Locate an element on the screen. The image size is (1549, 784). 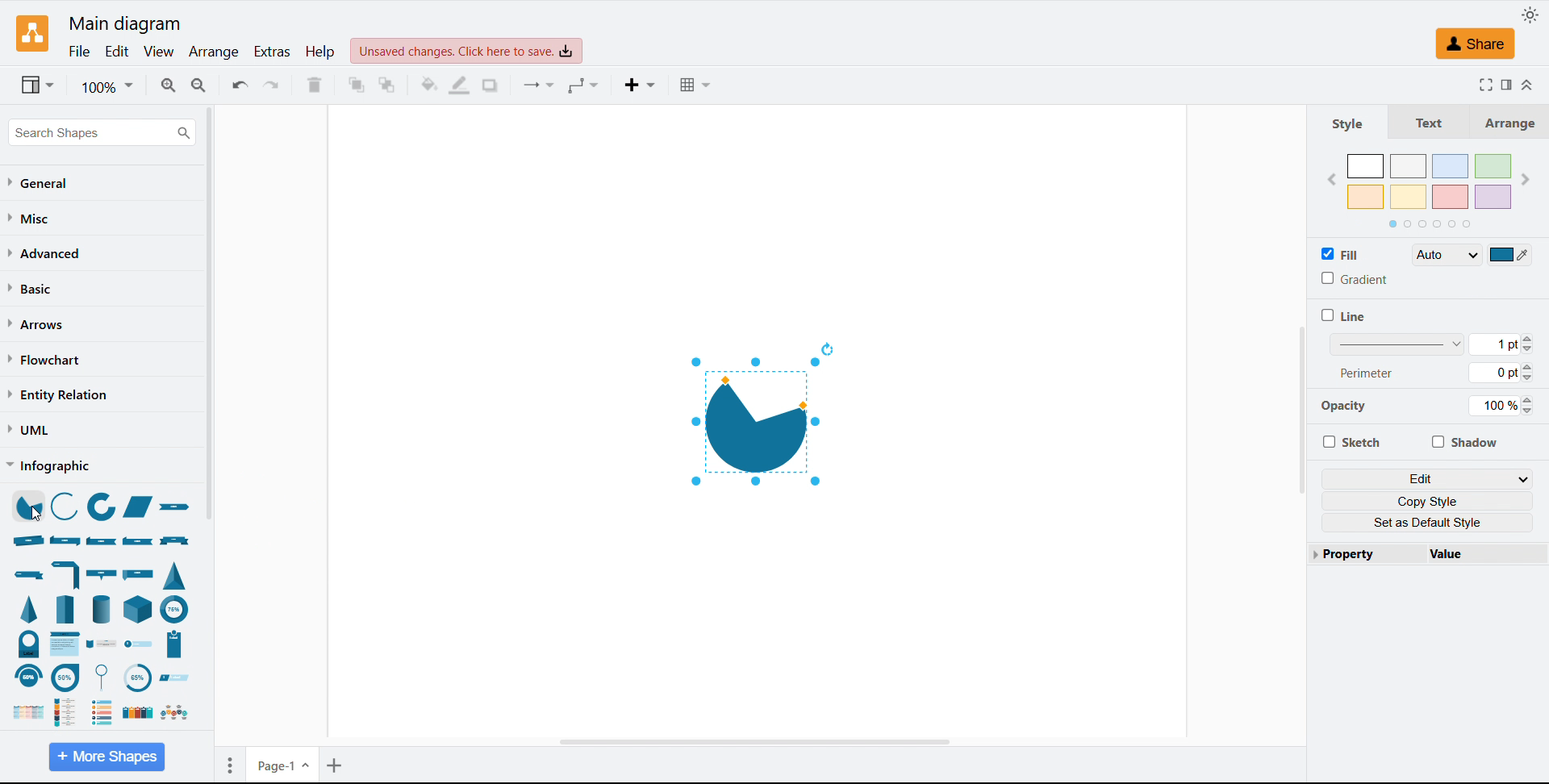
pyramid is located at coordinates (28, 612).